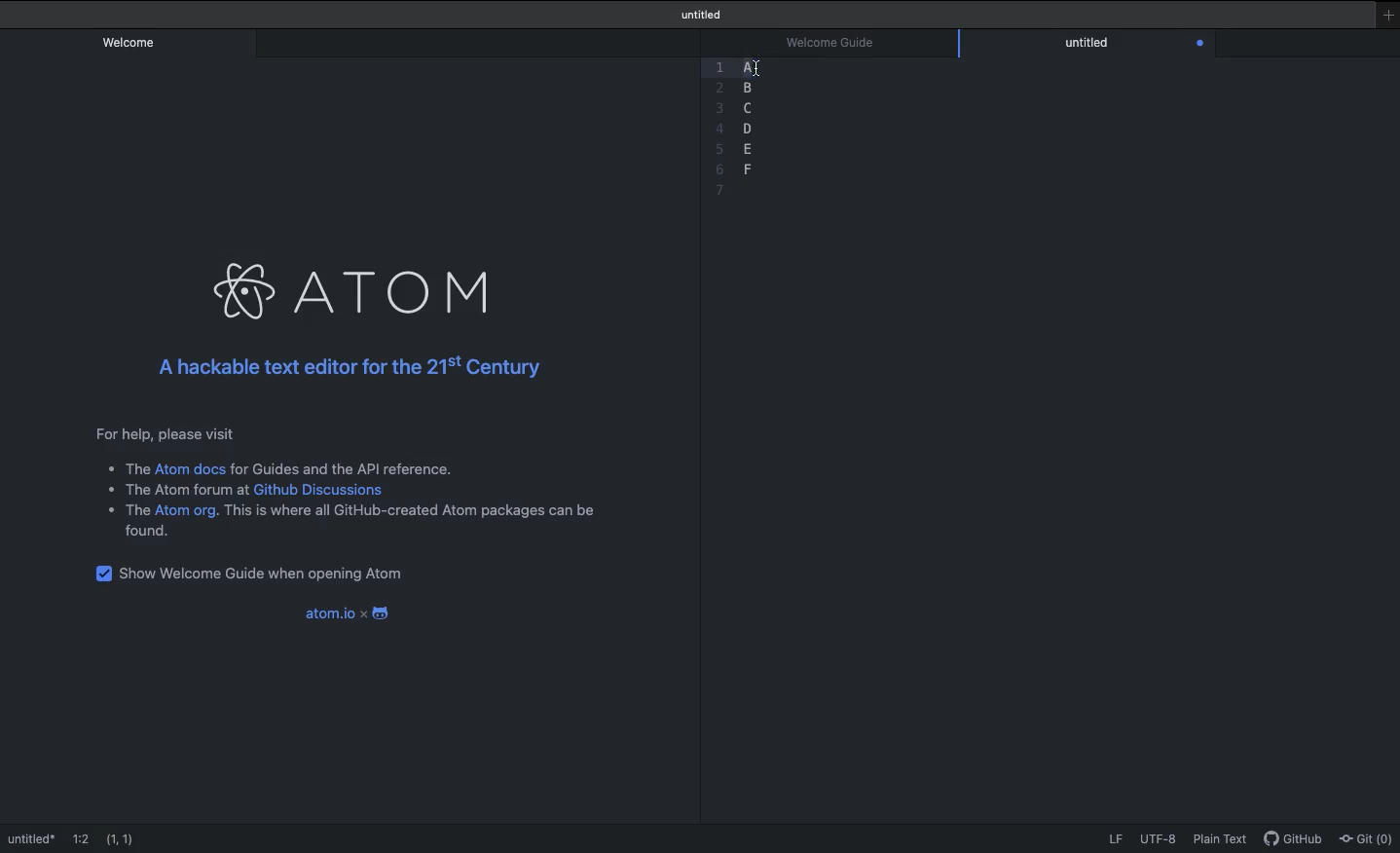 Image resolution: width=1400 pixels, height=853 pixels. What do you see at coordinates (704, 15) in the screenshot?
I see `Welcome guide` at bounding box center [704, 15].